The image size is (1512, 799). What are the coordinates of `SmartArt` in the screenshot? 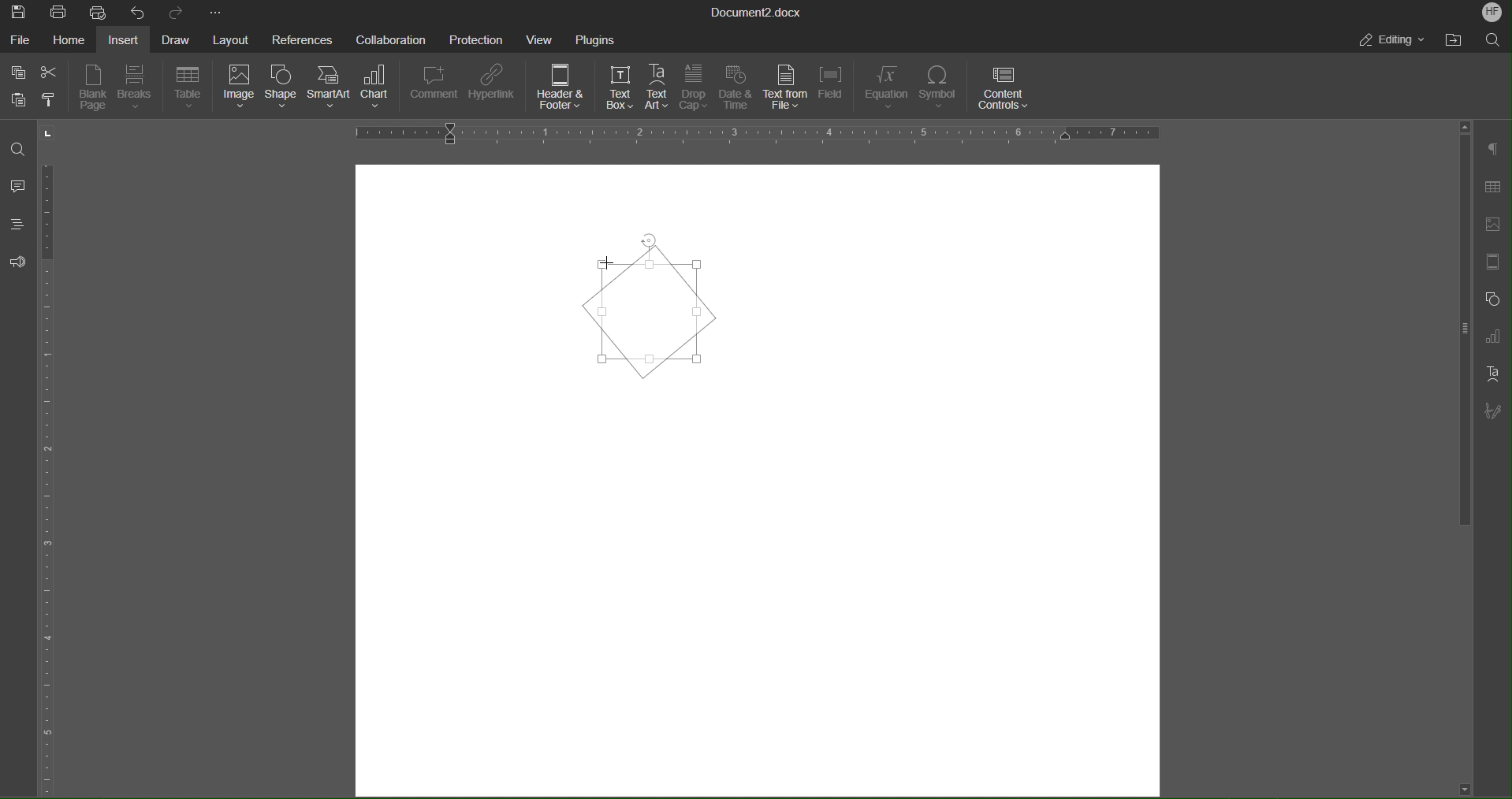 It's located at (331, 91).